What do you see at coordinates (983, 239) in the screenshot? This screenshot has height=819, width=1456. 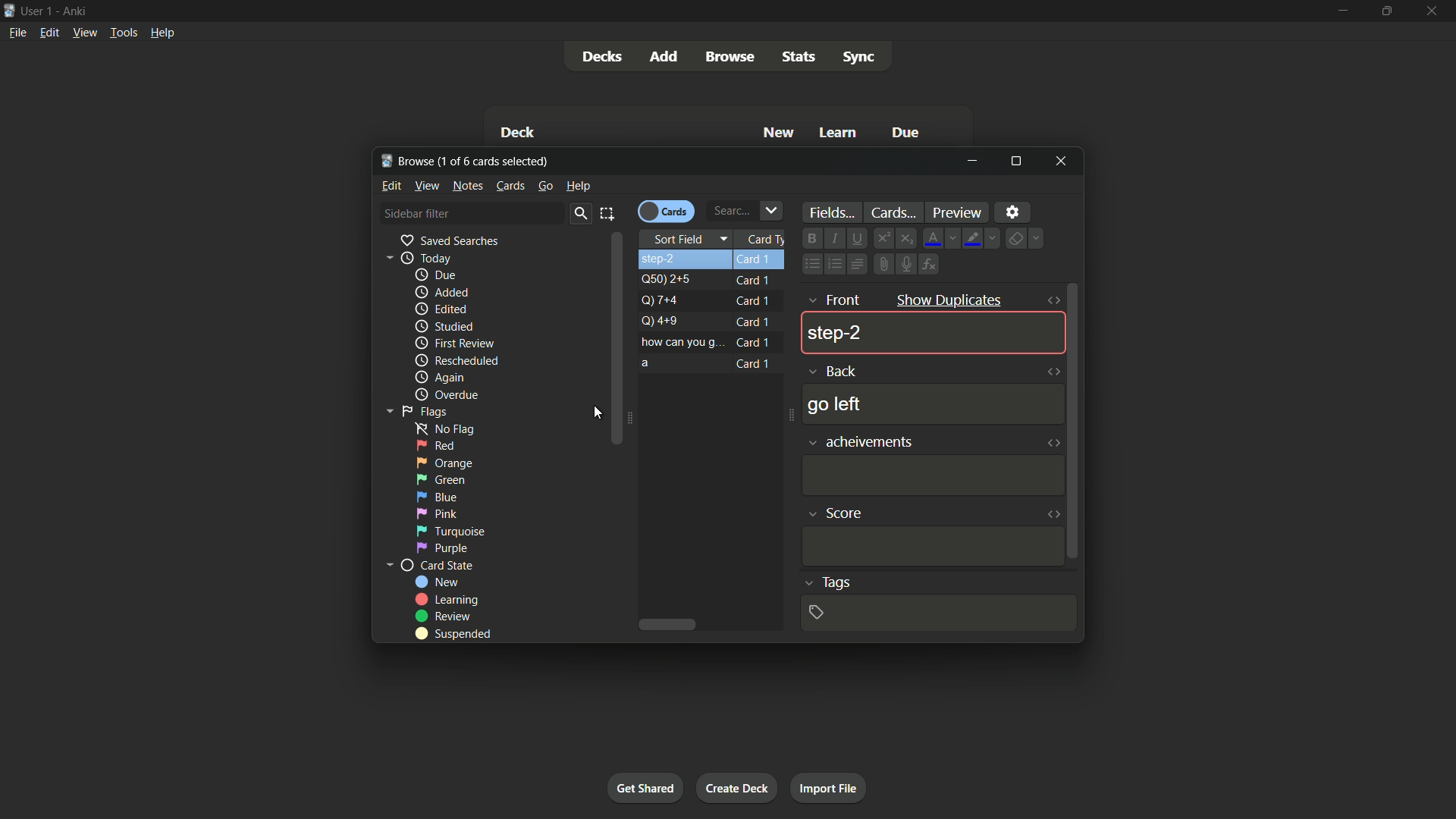 I see `Text highlight` at bounding box center [983, 239].